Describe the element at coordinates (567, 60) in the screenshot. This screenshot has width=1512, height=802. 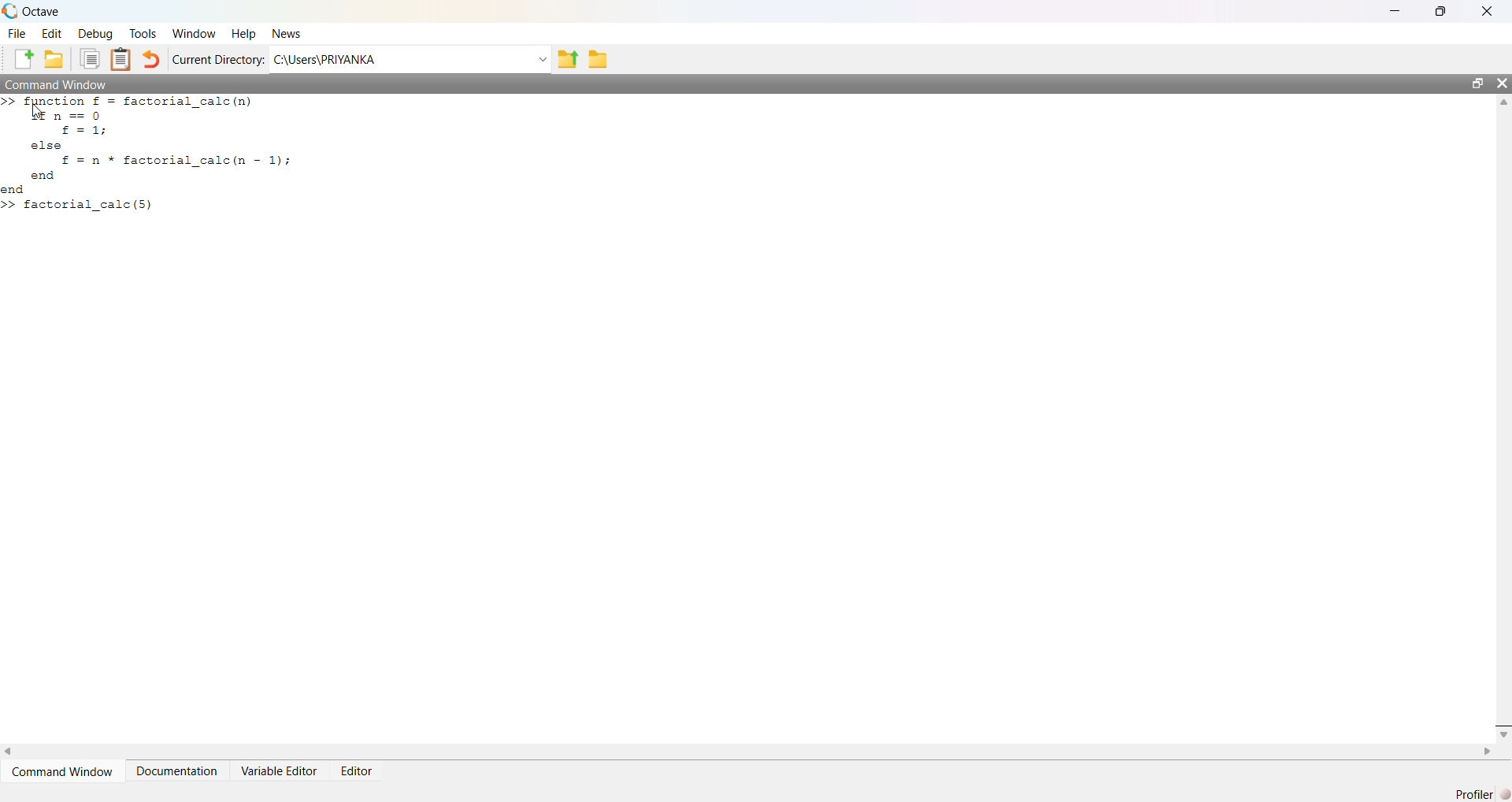
I see `share folder` at that location.